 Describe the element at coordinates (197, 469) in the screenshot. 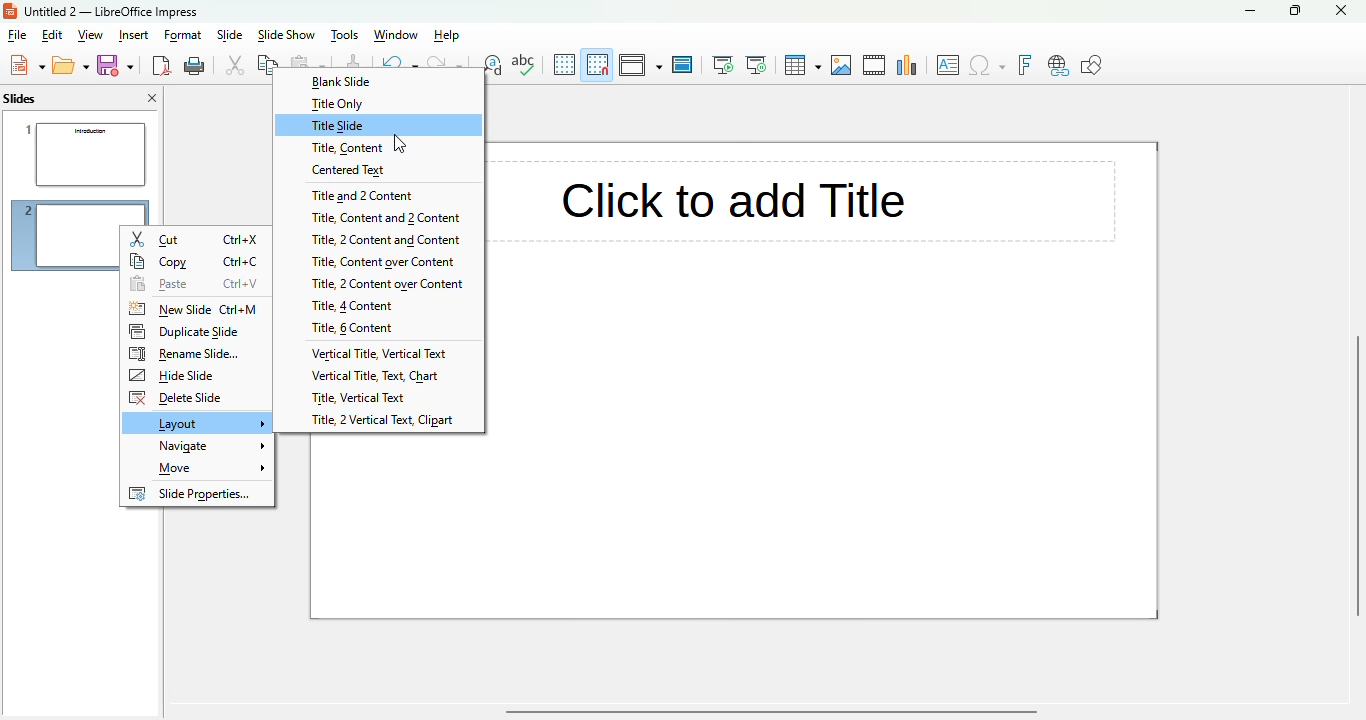

I see `move` at that location.